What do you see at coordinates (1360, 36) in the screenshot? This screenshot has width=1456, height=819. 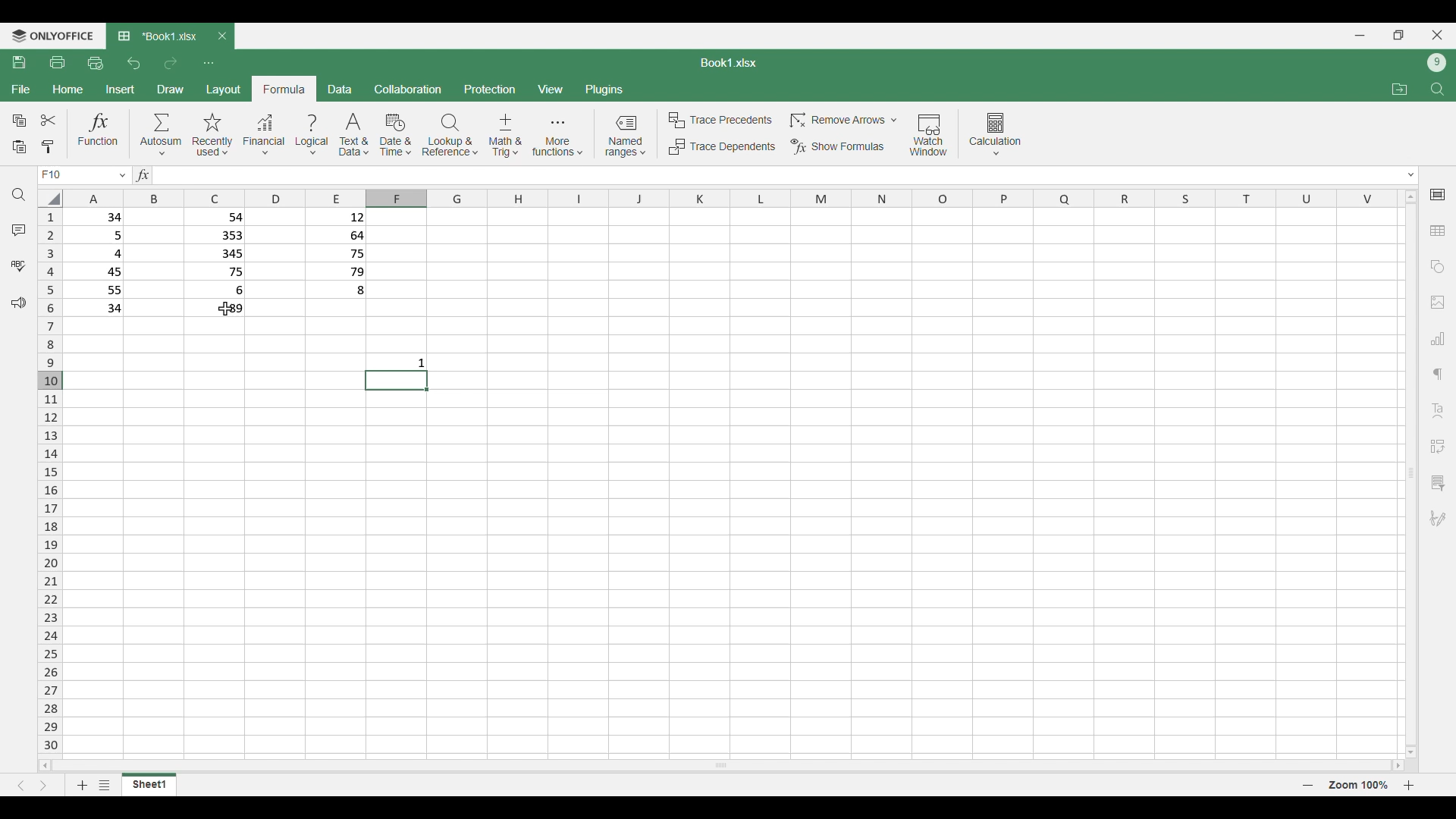 I see `Minimize` at bounding box center [1360, 36].